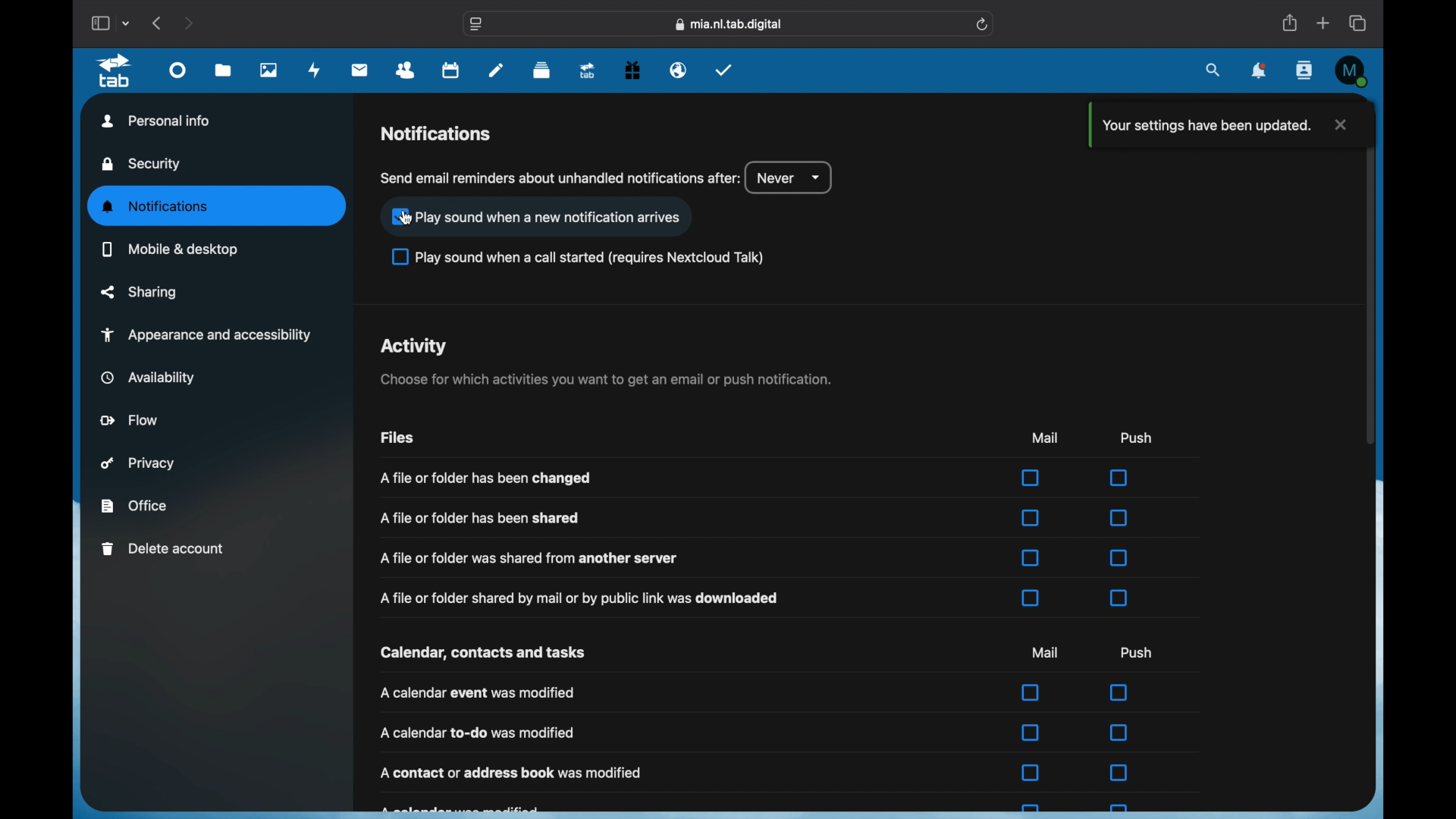 The width and height of the screenshot is (1456, 819). Describe the element at coordinates (724, 70) in the screenshot. I see `tasks` at that location.